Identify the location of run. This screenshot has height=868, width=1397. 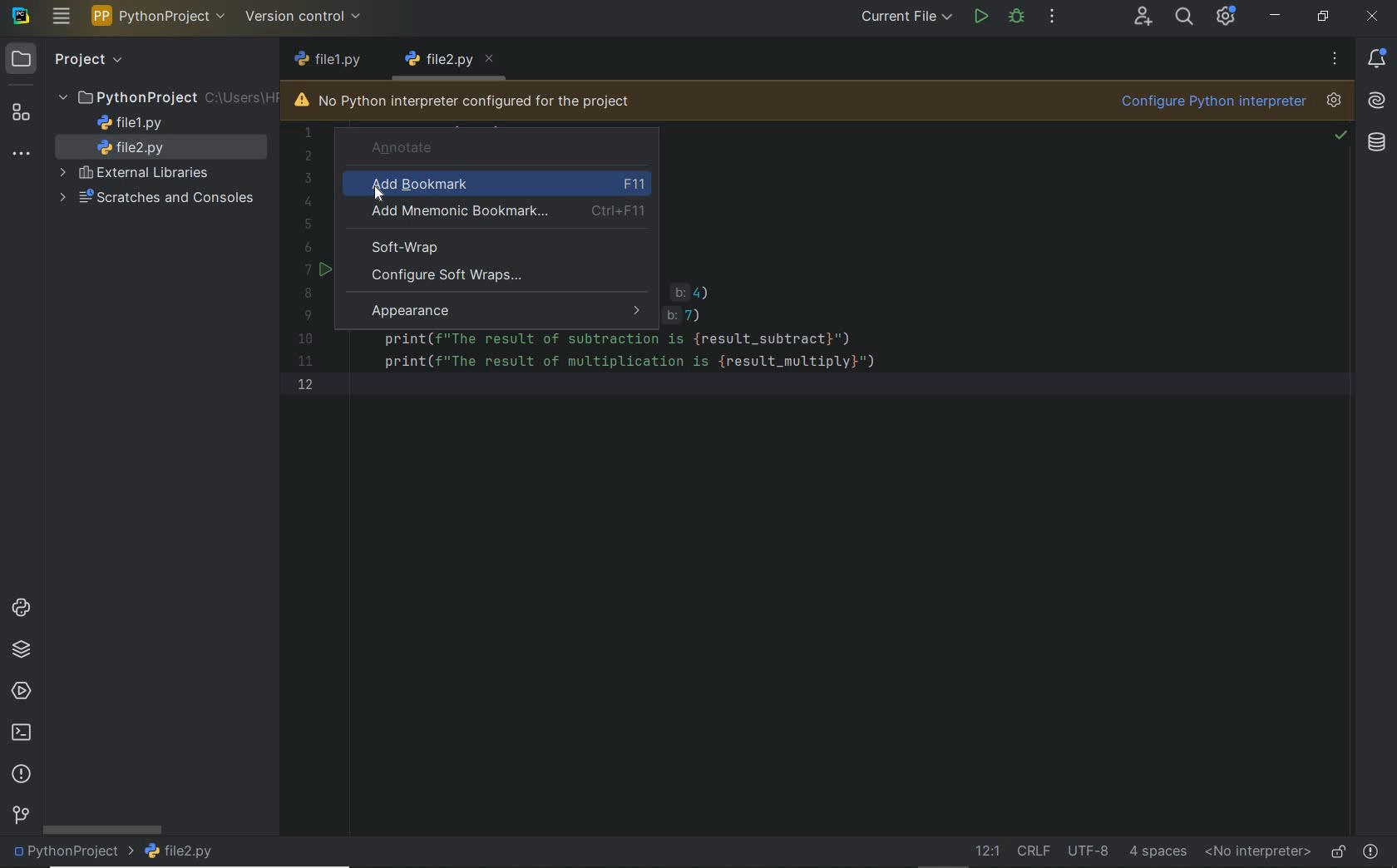
(981, 15).